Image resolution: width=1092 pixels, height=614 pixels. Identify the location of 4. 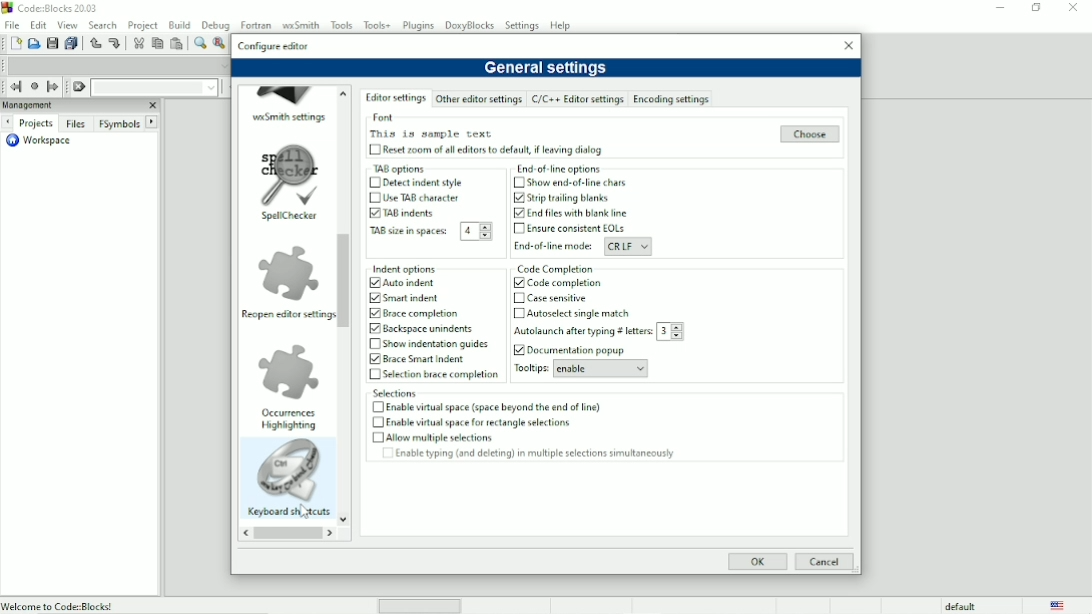
(468, 232).